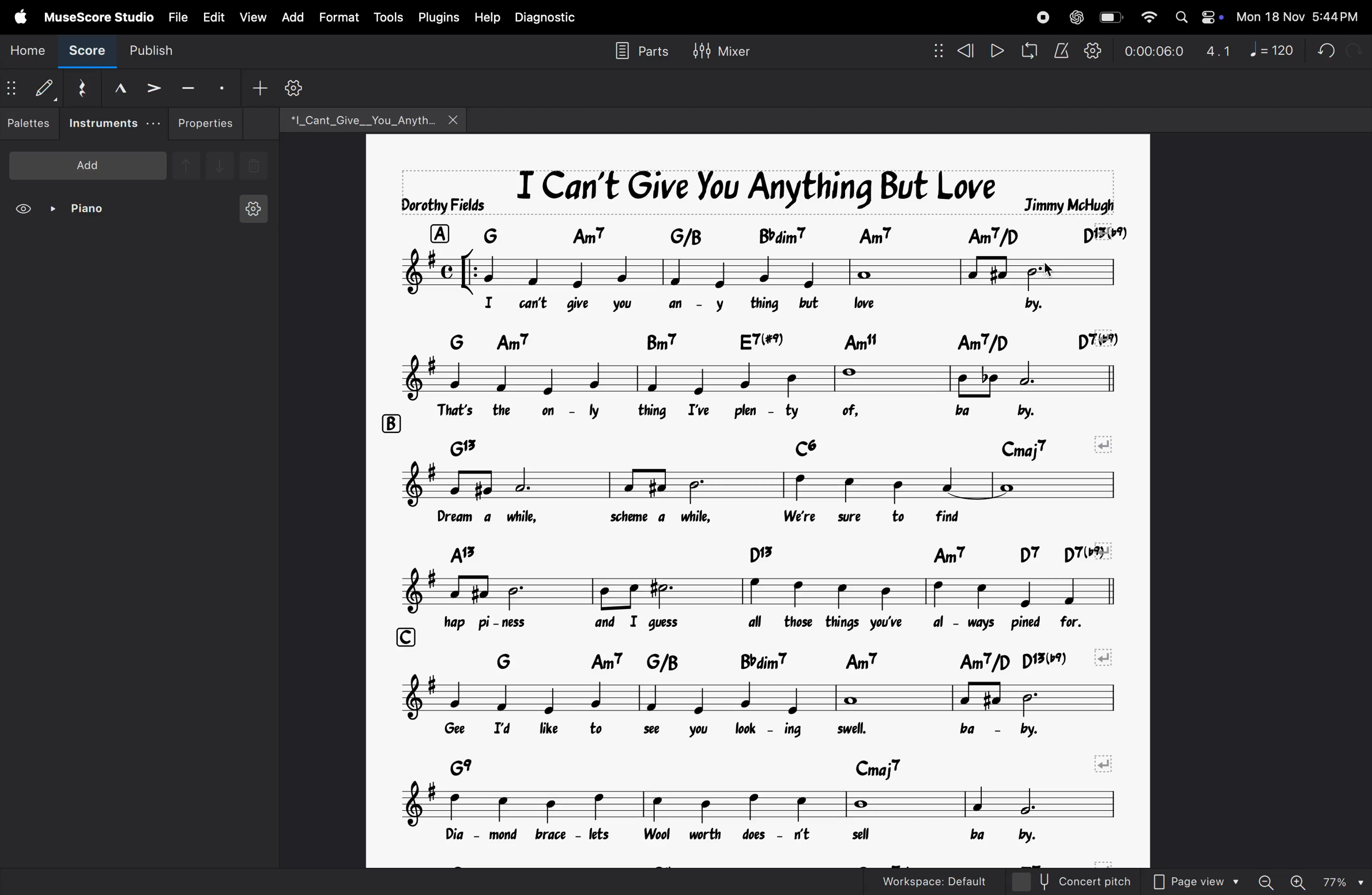 The height and width of the screenshot is (895, 1372). I want to click on file name, so click(372, 122).